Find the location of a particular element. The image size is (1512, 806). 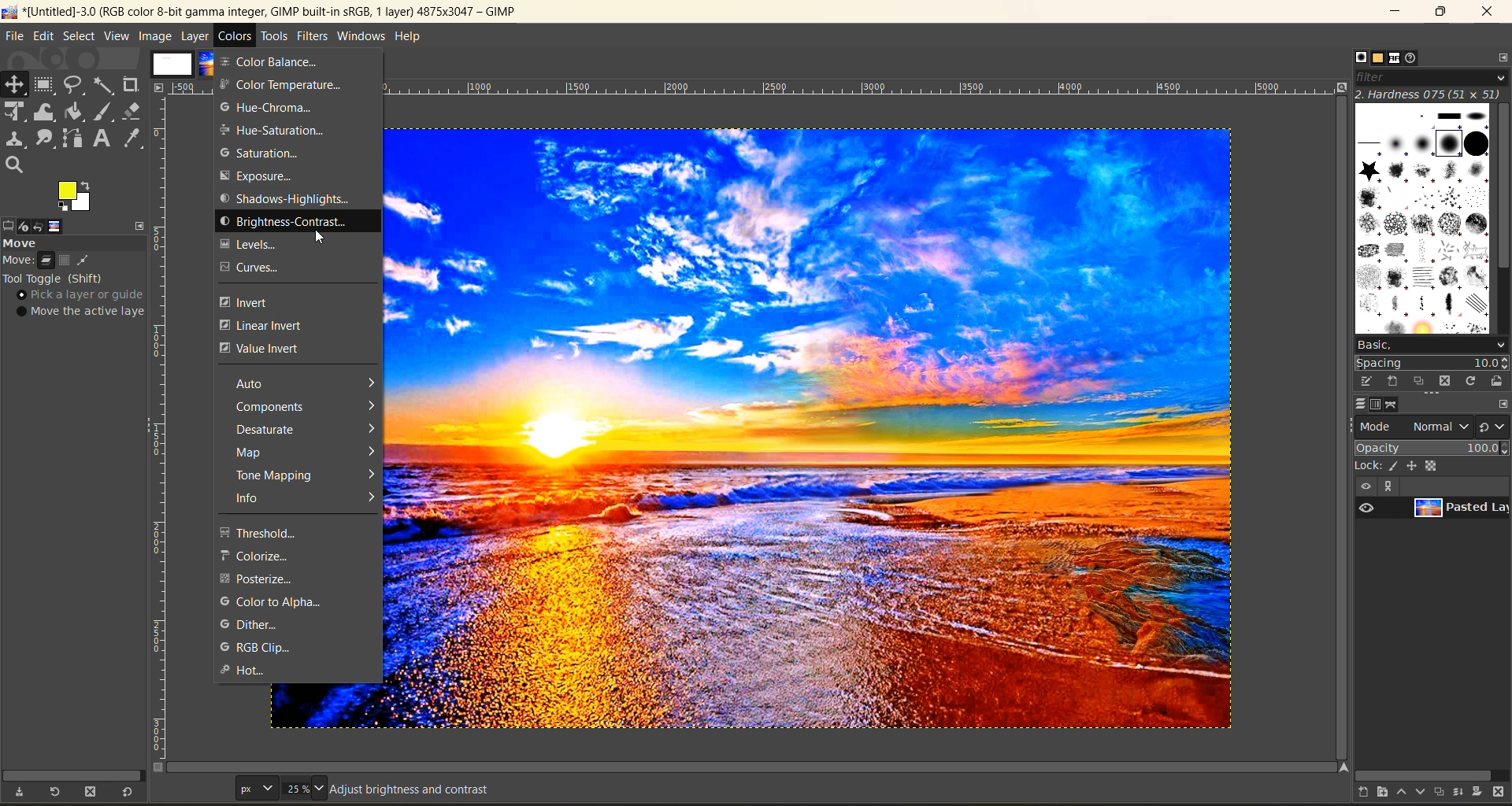

metadata is located at coordinates (396, 792).